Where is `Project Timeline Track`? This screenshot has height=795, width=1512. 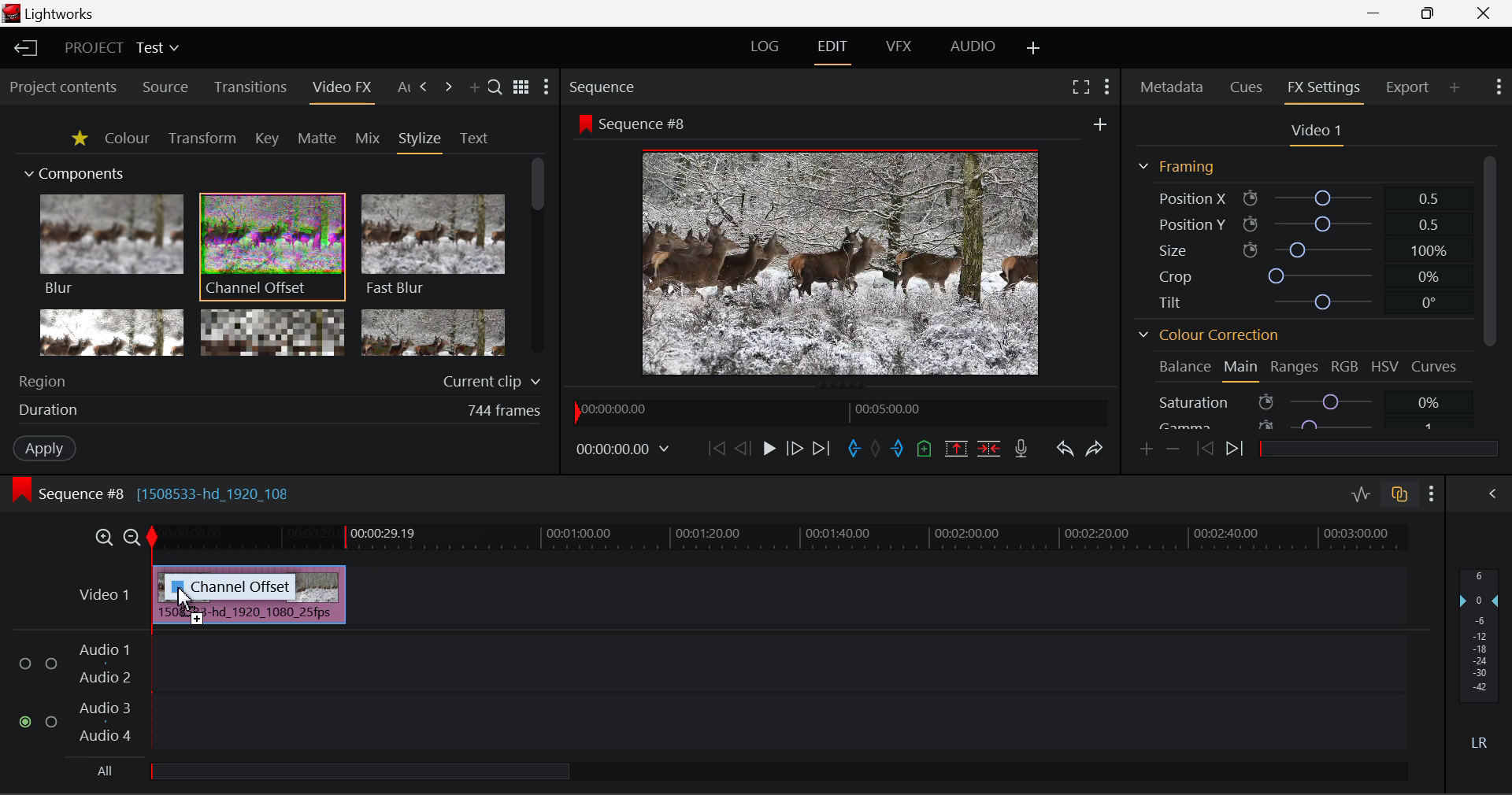 Project Timeline Track is located at coordinates (780, 540).